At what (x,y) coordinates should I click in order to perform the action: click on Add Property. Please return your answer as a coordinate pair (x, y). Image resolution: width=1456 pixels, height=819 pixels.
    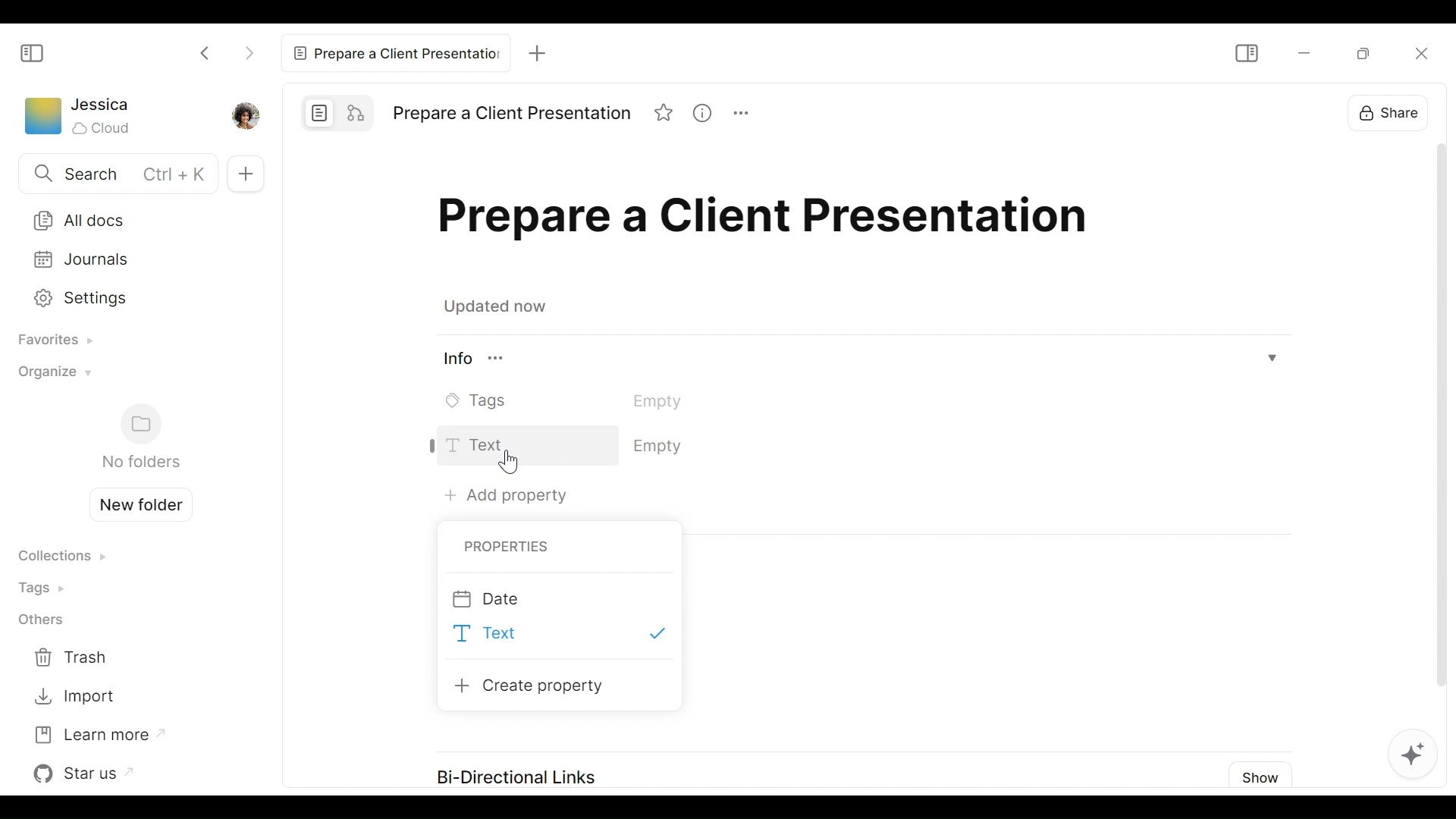
    Looking at the image, I should click on (496, 496).